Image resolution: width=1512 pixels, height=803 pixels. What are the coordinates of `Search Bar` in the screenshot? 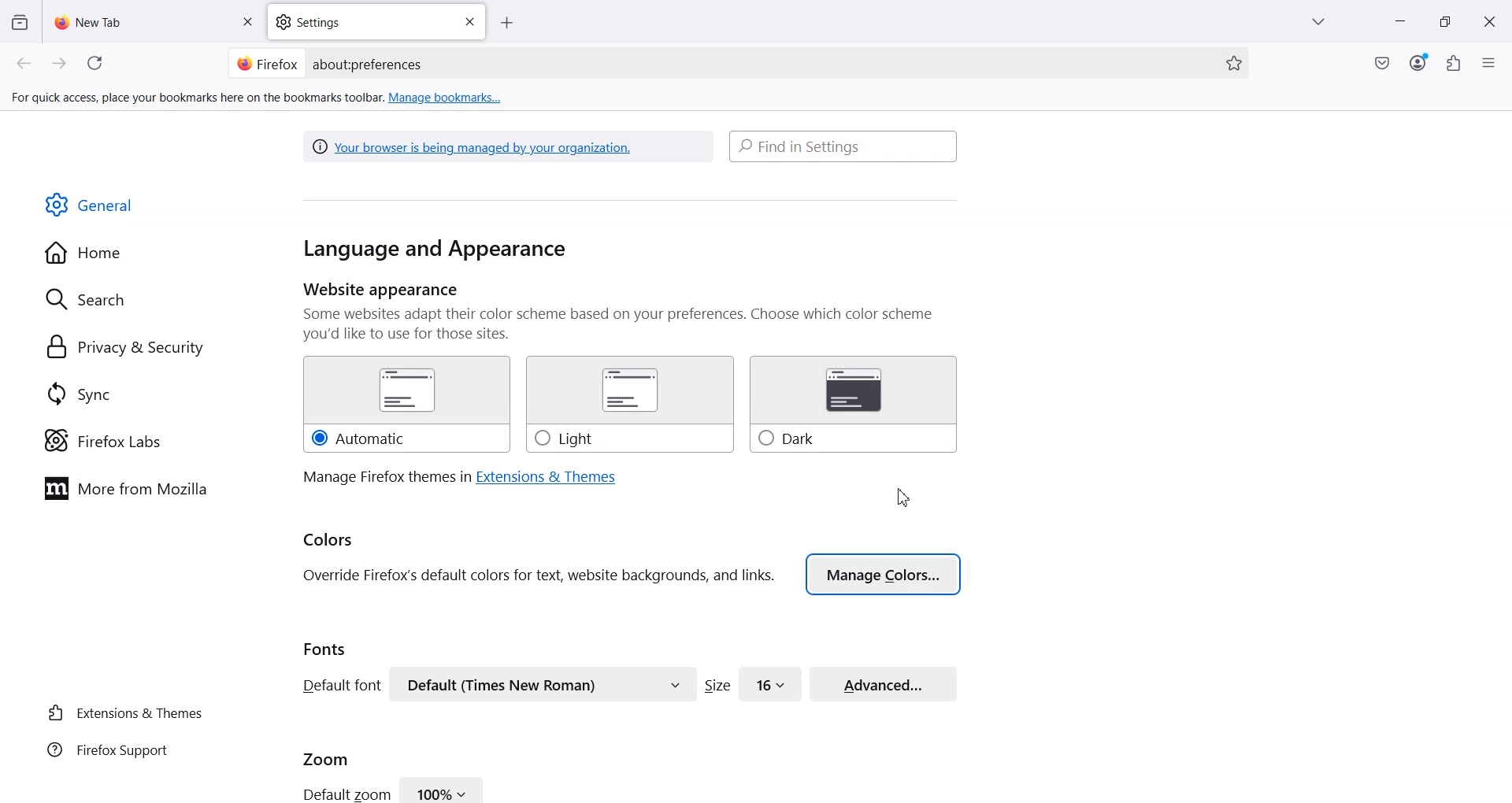 It's located at (844, 146).